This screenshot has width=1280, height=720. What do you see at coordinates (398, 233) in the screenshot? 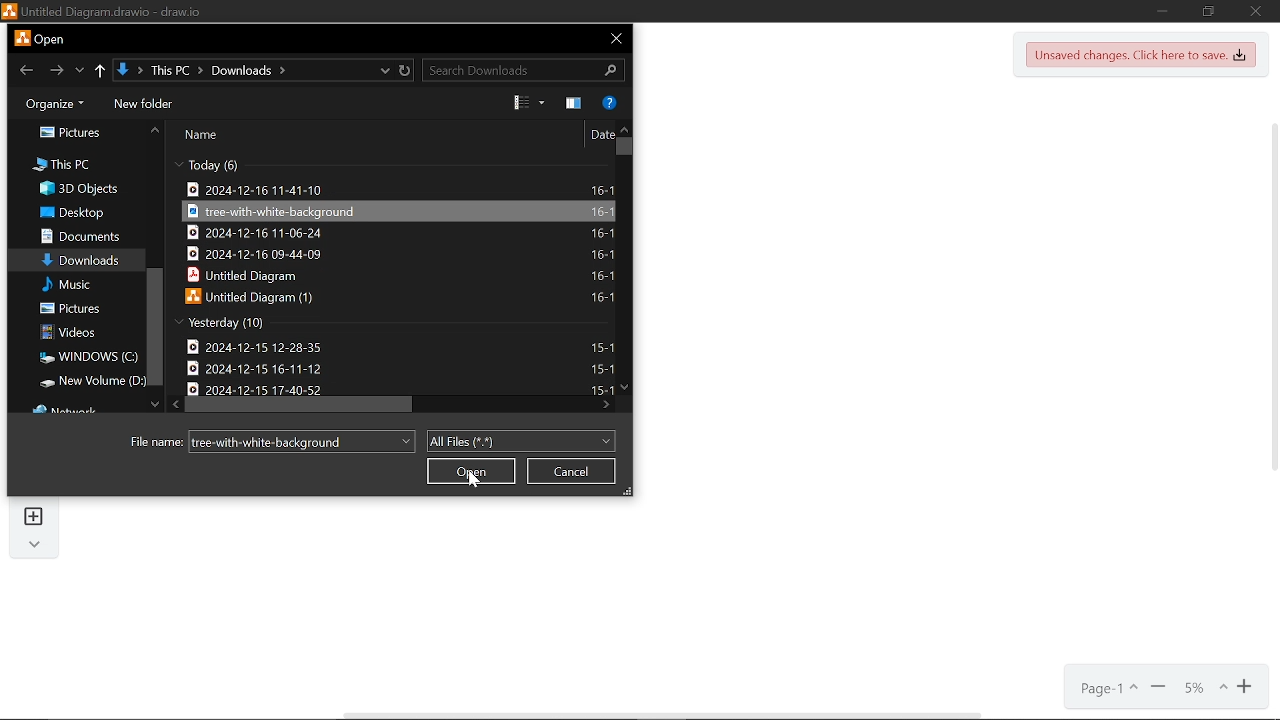
I see `file titled "2024-12-16 11-06-24"` at bounding box center [398, 233].